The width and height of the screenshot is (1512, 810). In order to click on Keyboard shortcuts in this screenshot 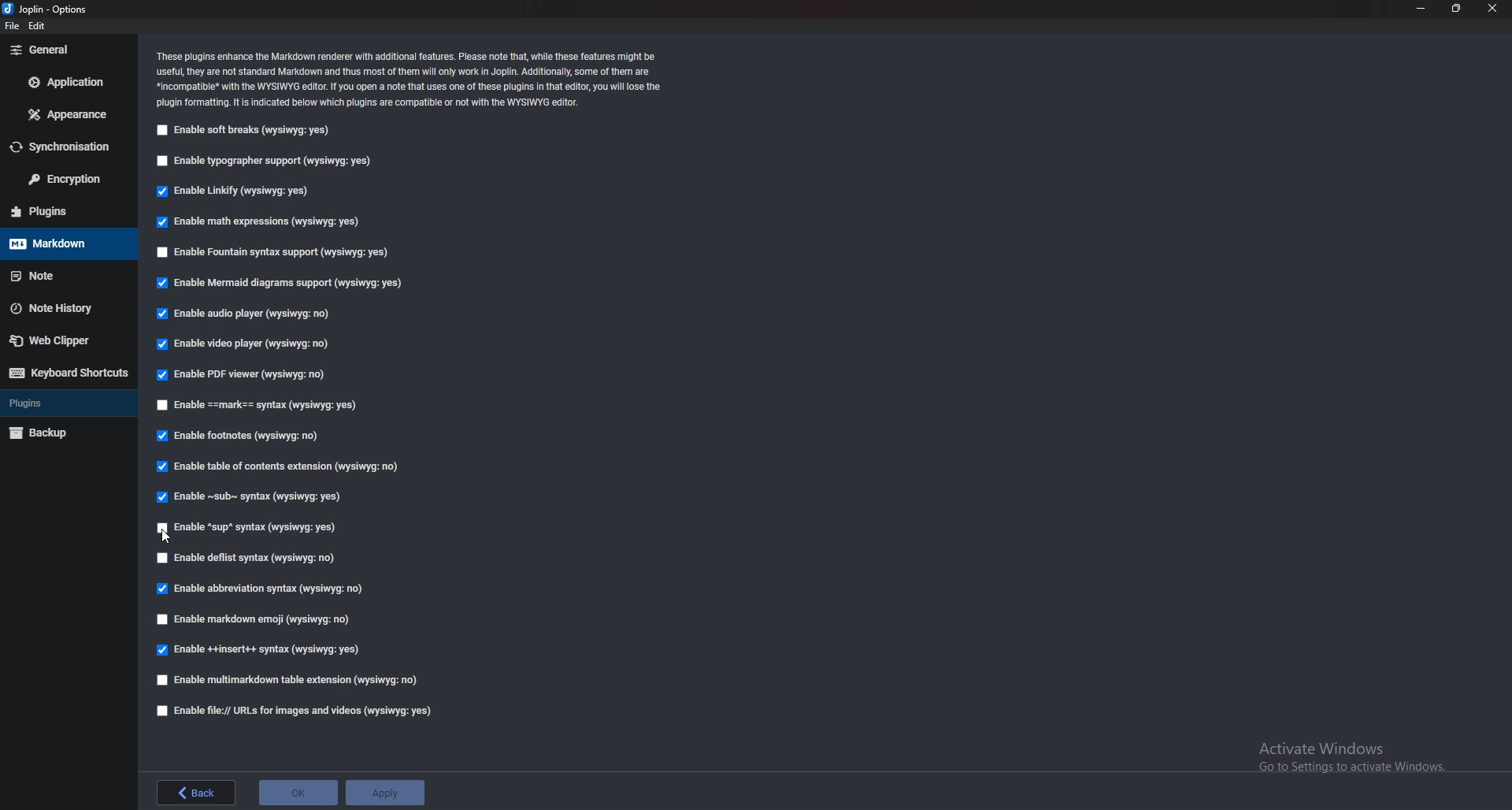, I will do `click(69, 373)`.